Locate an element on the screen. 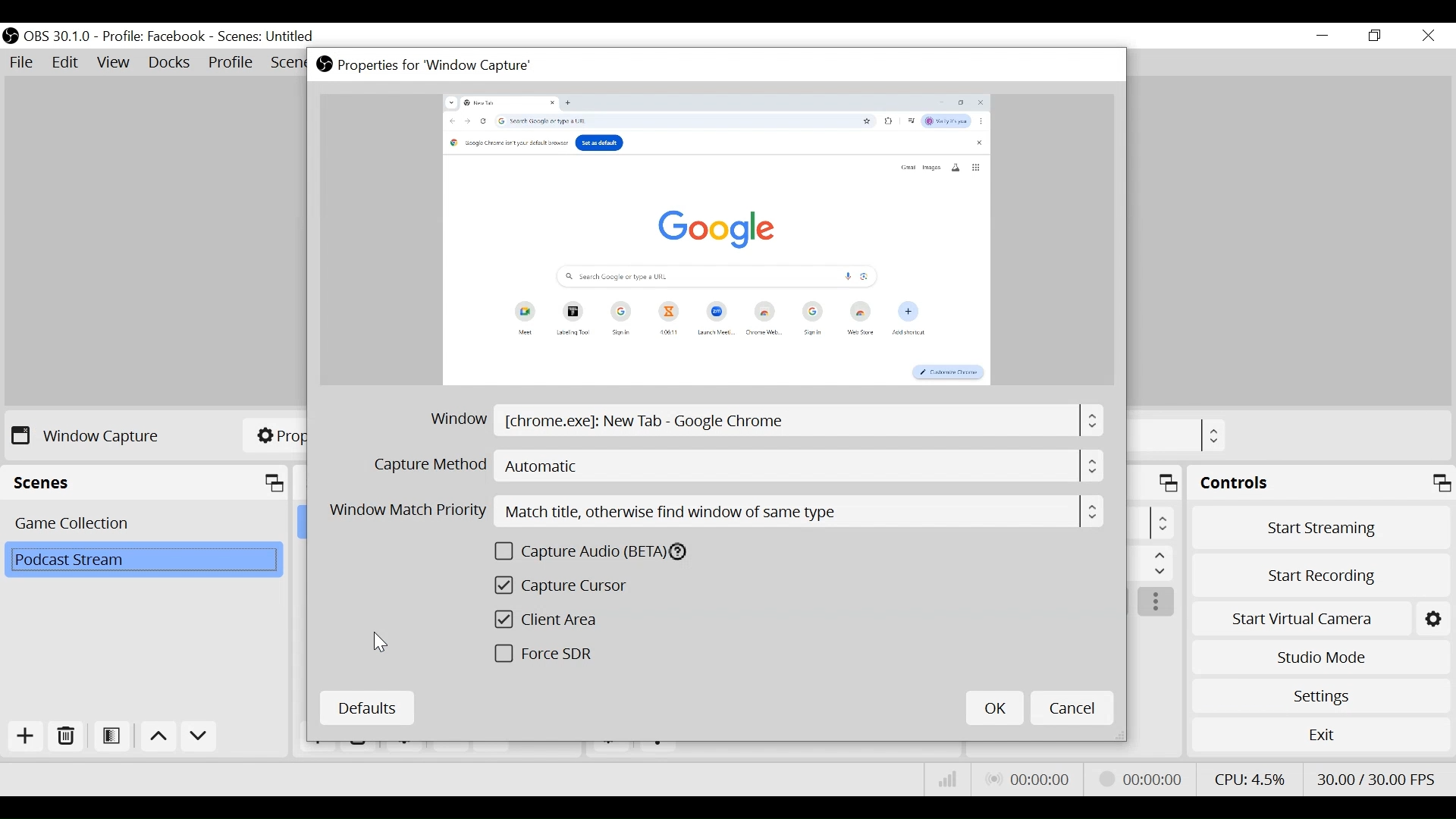  Start Streaming is located at coordinates (1319, 526).